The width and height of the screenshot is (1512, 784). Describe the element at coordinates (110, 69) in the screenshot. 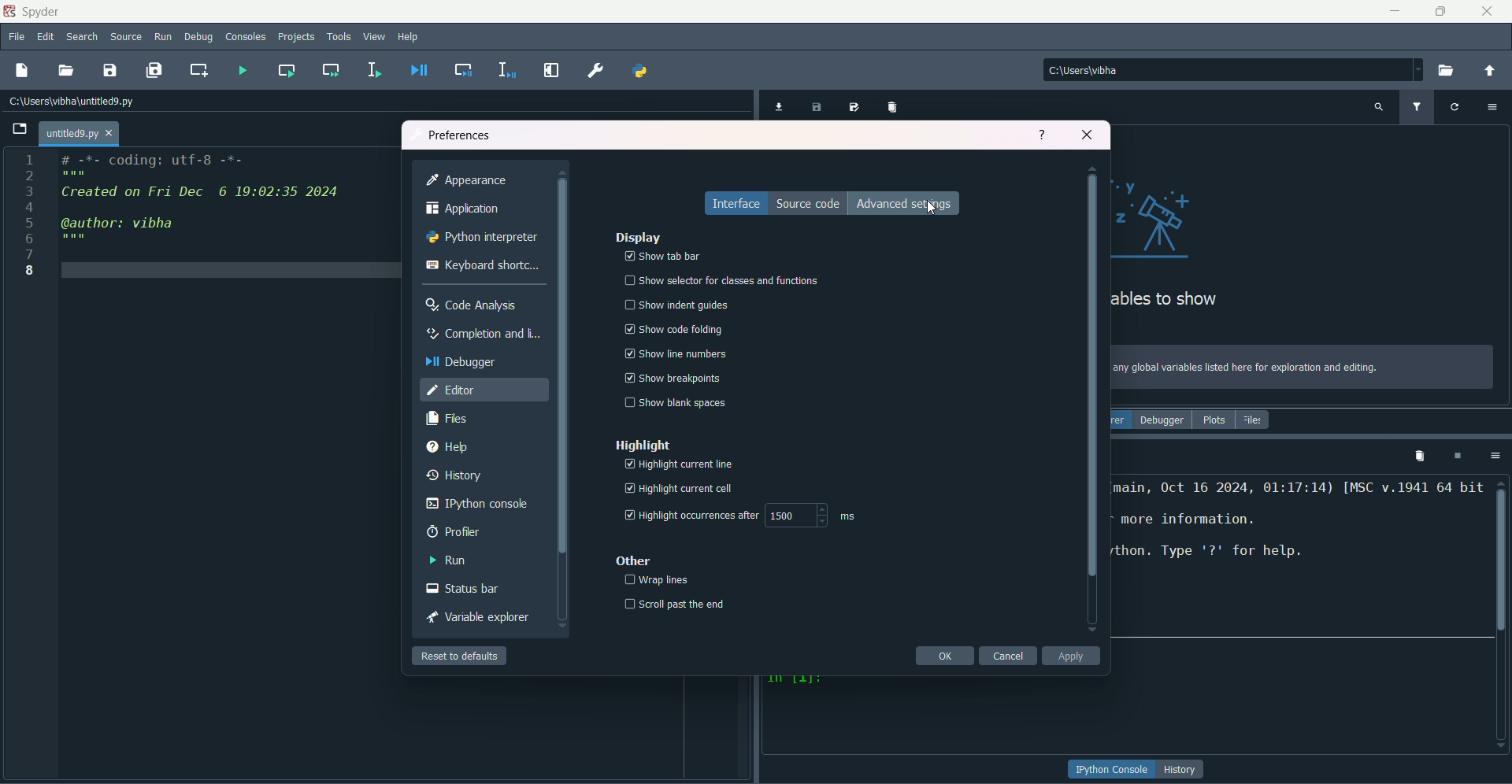

I see `save file` at that location.